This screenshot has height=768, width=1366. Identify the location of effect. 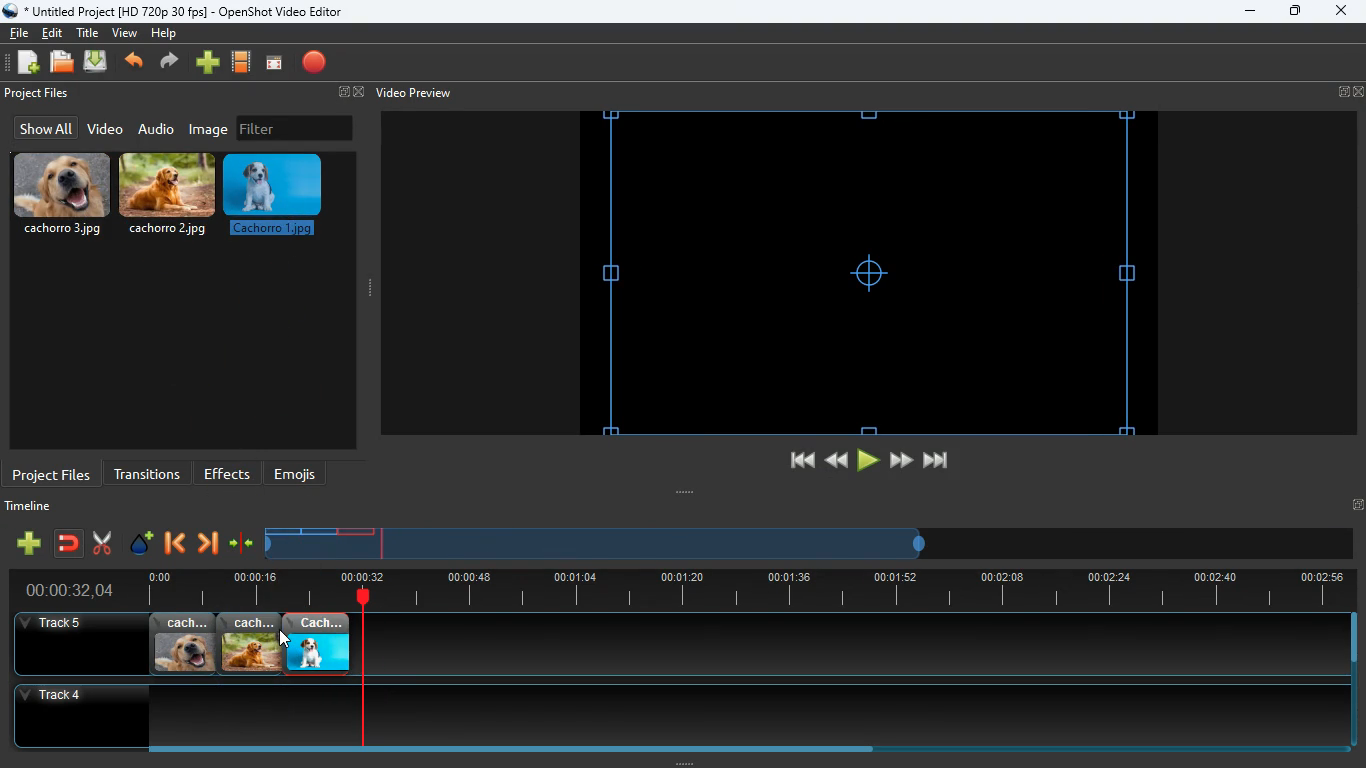
(142, 545).